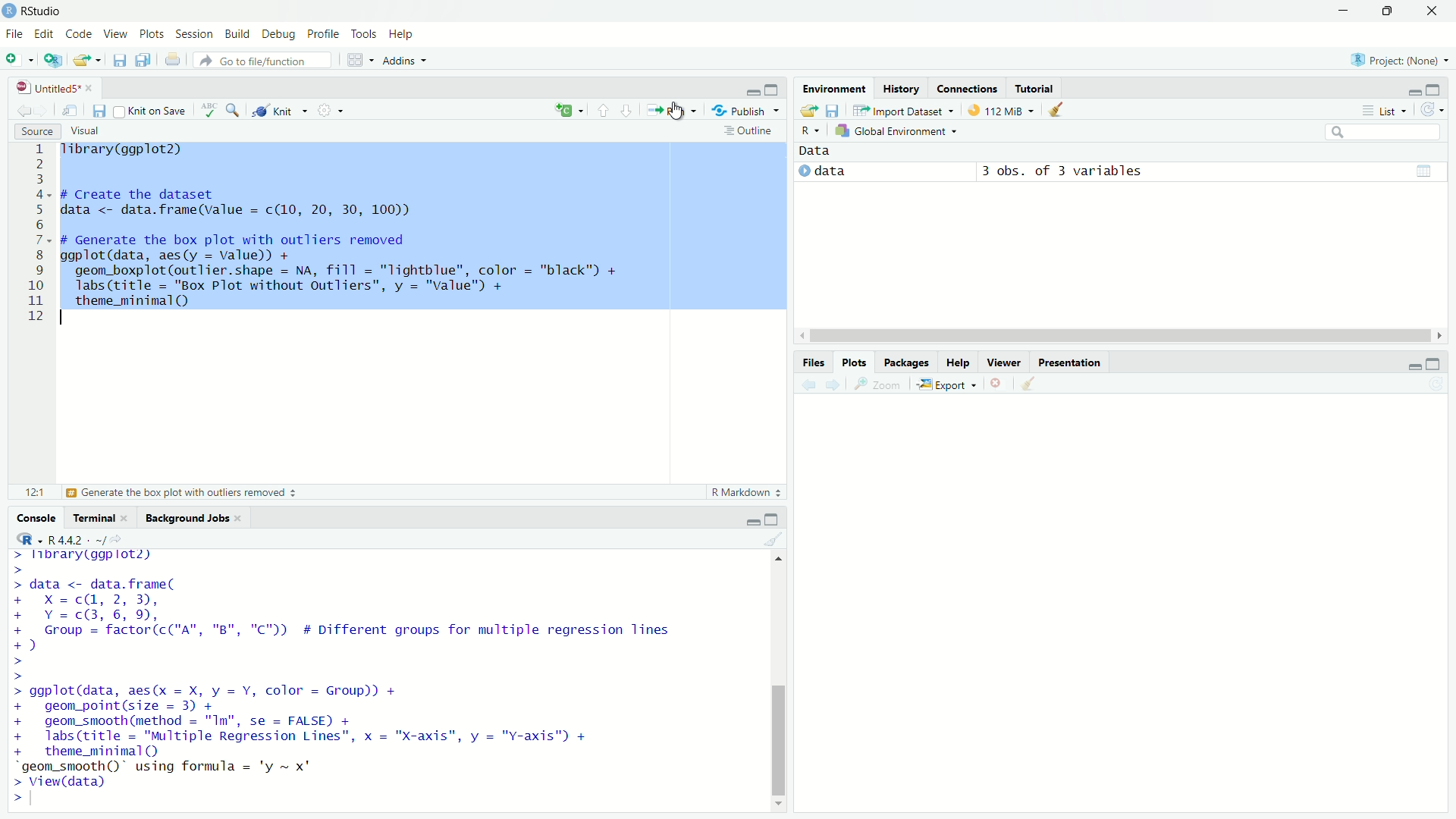 The width and height of the screenshot is (1456, 819). I want to click on View, so click(114, 35).